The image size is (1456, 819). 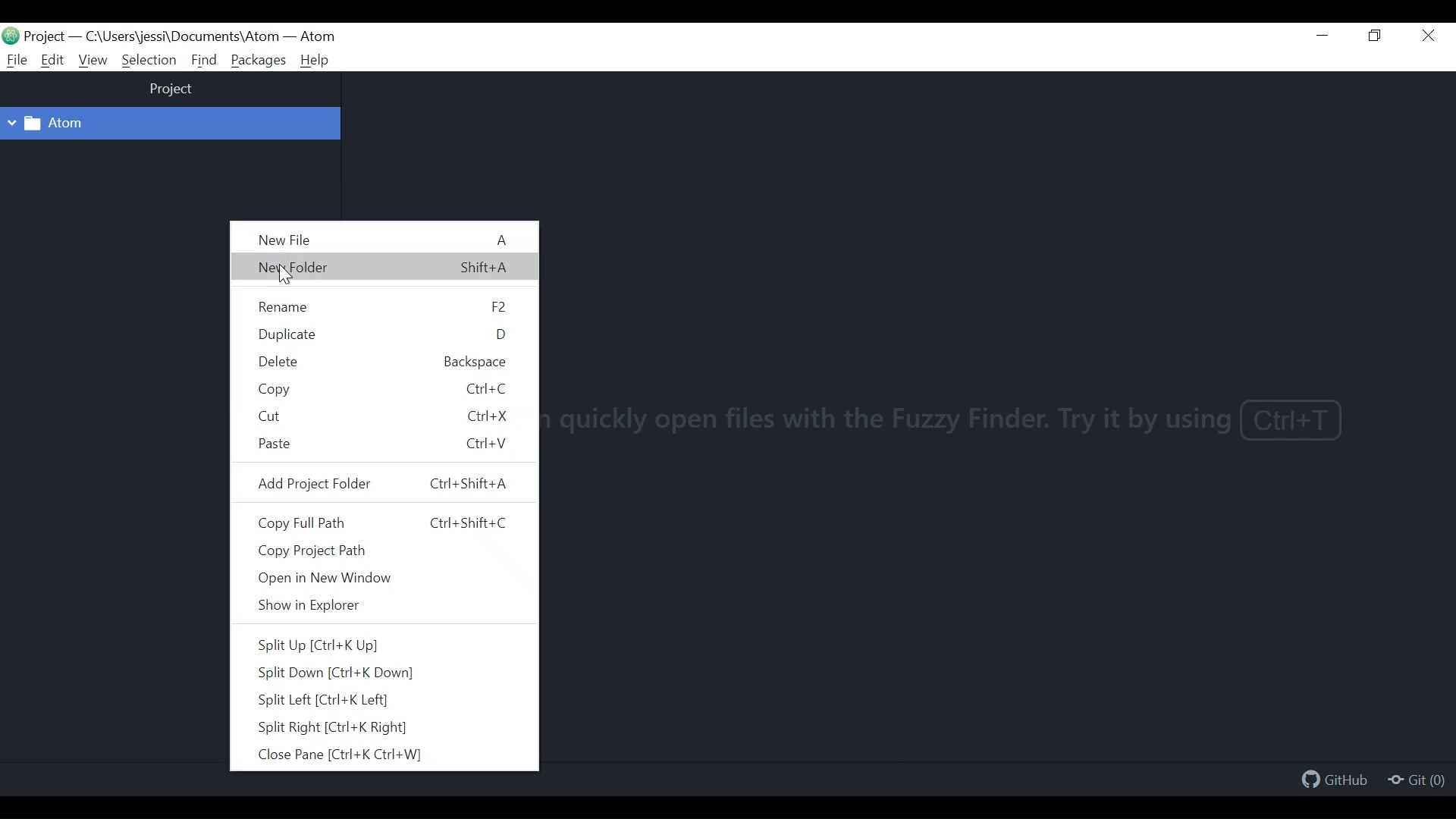 What do you see at coordinates (469, 482) in the screenshot?
I see `Ctrl+Shift+A` at bounding box center [469, 482].